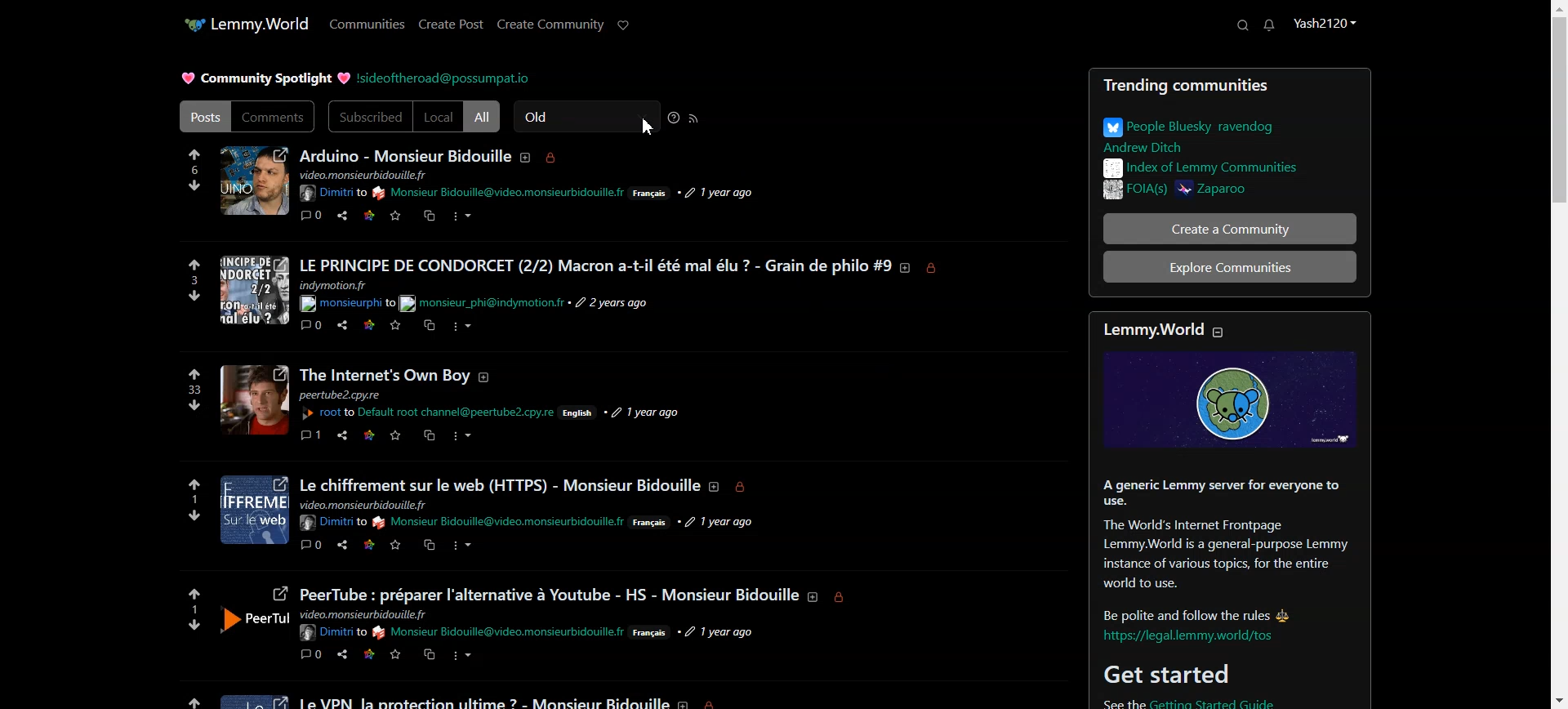  What do you see at coordinates (439, 116) in the screenshot?
I see `Local` at bounding box center [439, 116].